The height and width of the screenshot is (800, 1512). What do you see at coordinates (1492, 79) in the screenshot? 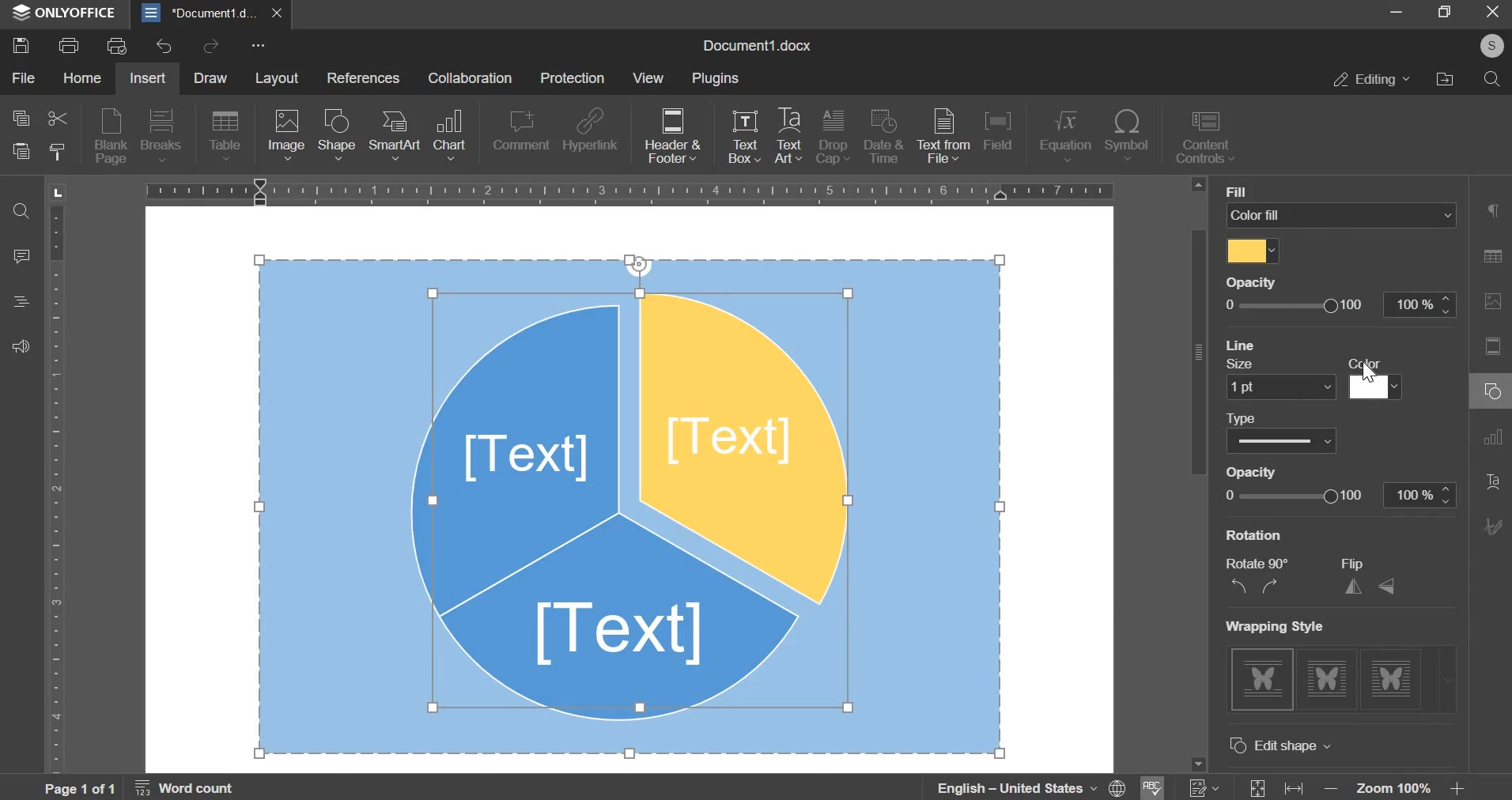
I see `search` at bounding box center [1492, 79].